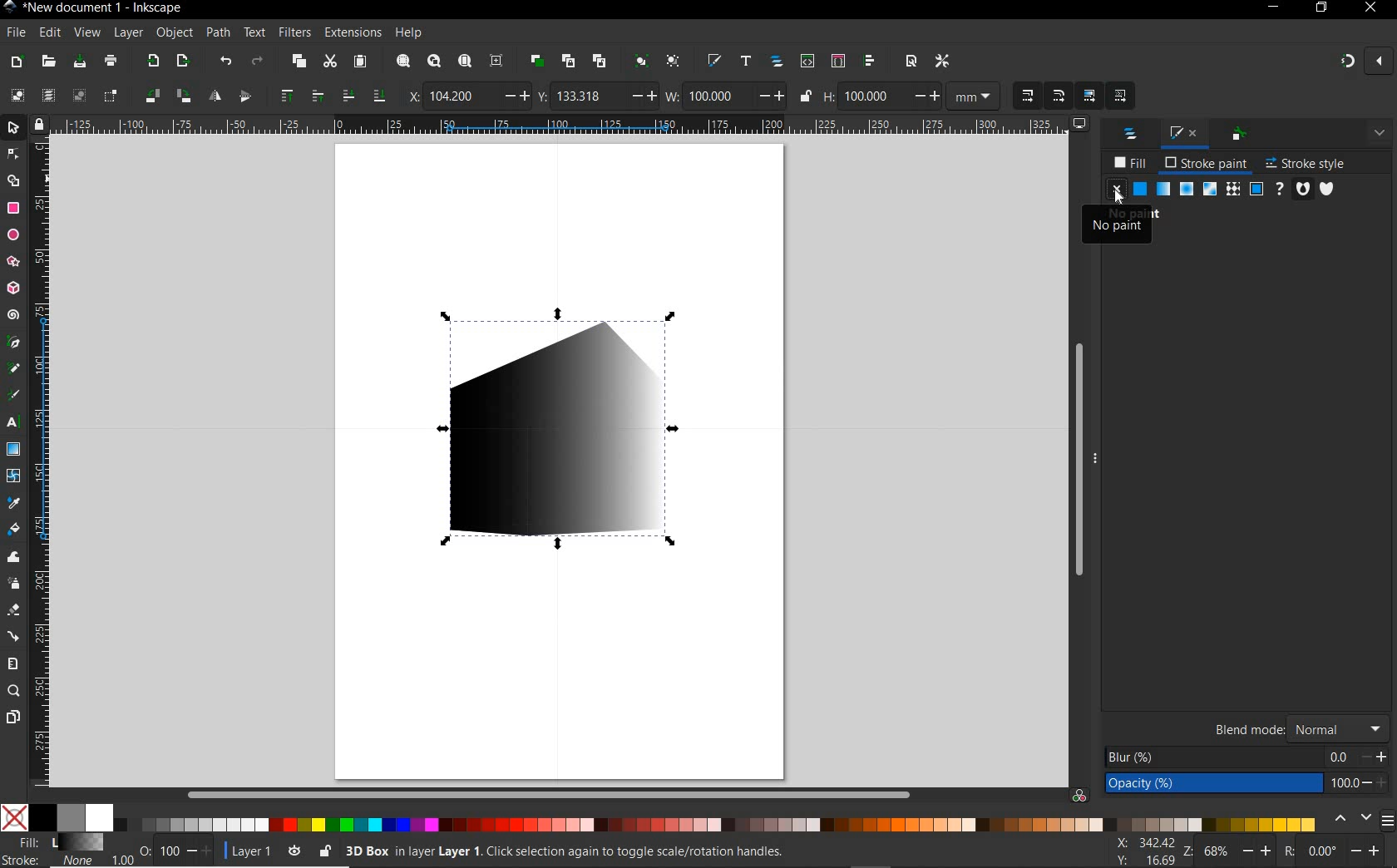 The height and width of the screenshot is (868, 1397). Describe the element at coordinates (12, 449) in the screenshot. I see `GRADIENT TOOL` at that location.